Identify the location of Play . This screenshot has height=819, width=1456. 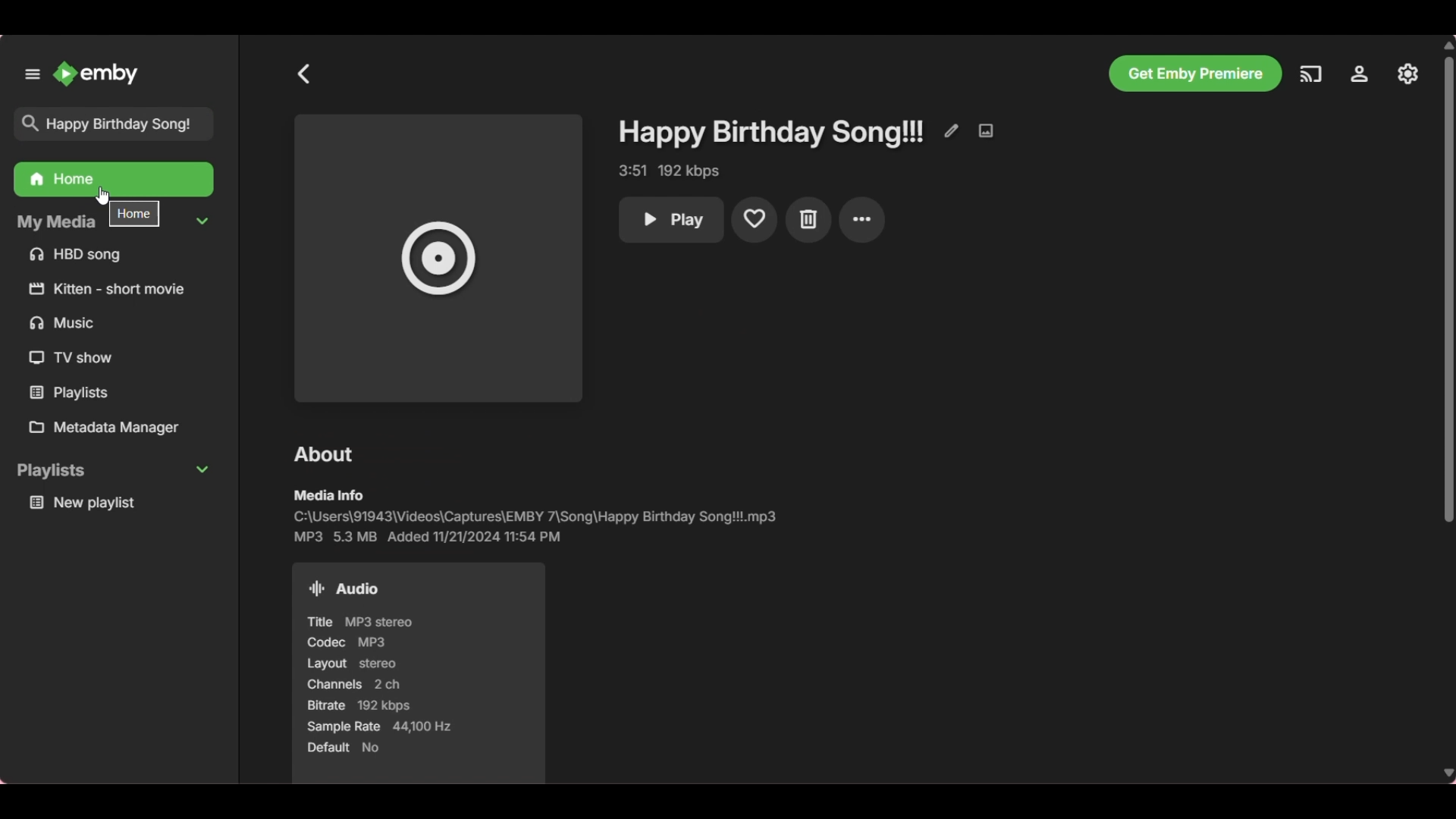
(677, 222).